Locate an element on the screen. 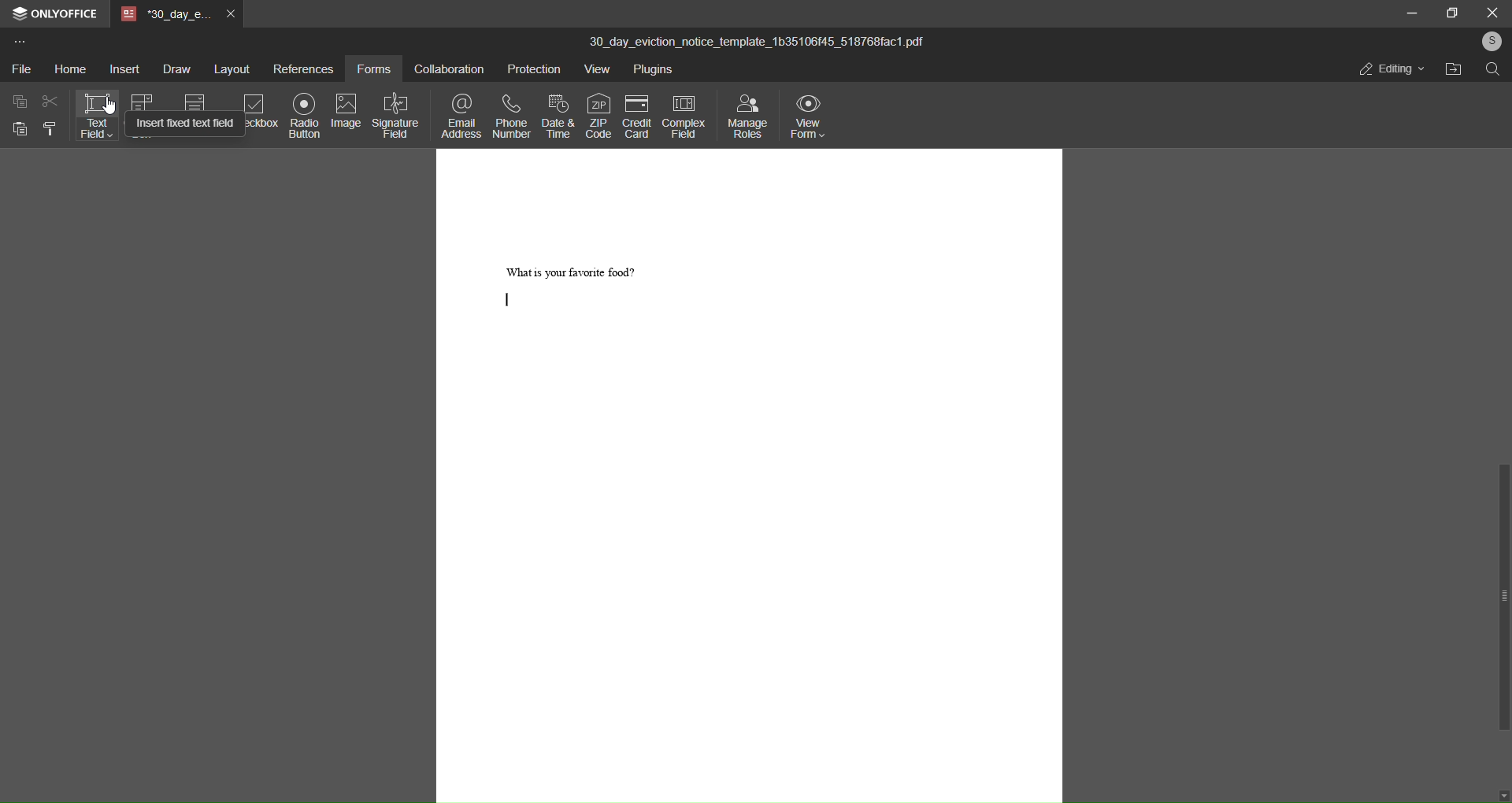  credit card is located at coordinates (633, 117).